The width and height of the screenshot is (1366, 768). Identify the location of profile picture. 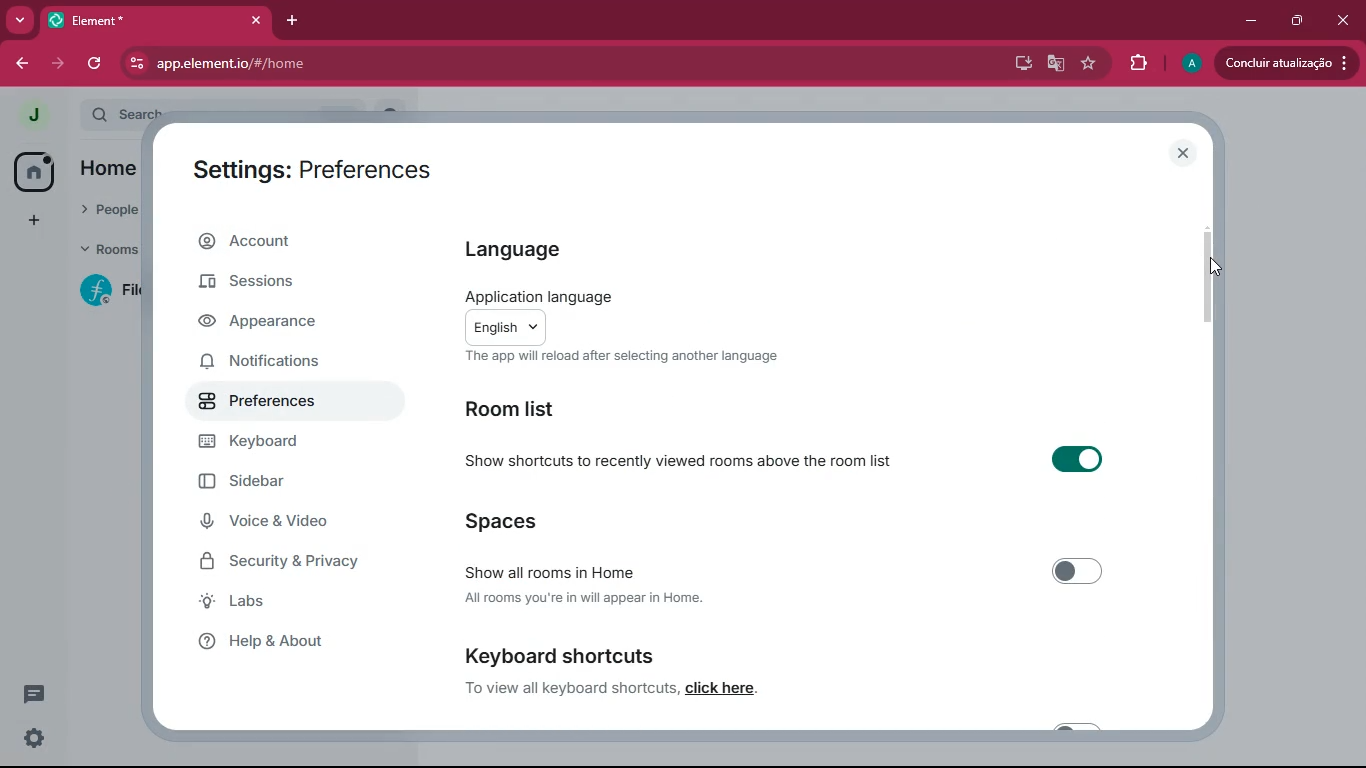
(32, 116).